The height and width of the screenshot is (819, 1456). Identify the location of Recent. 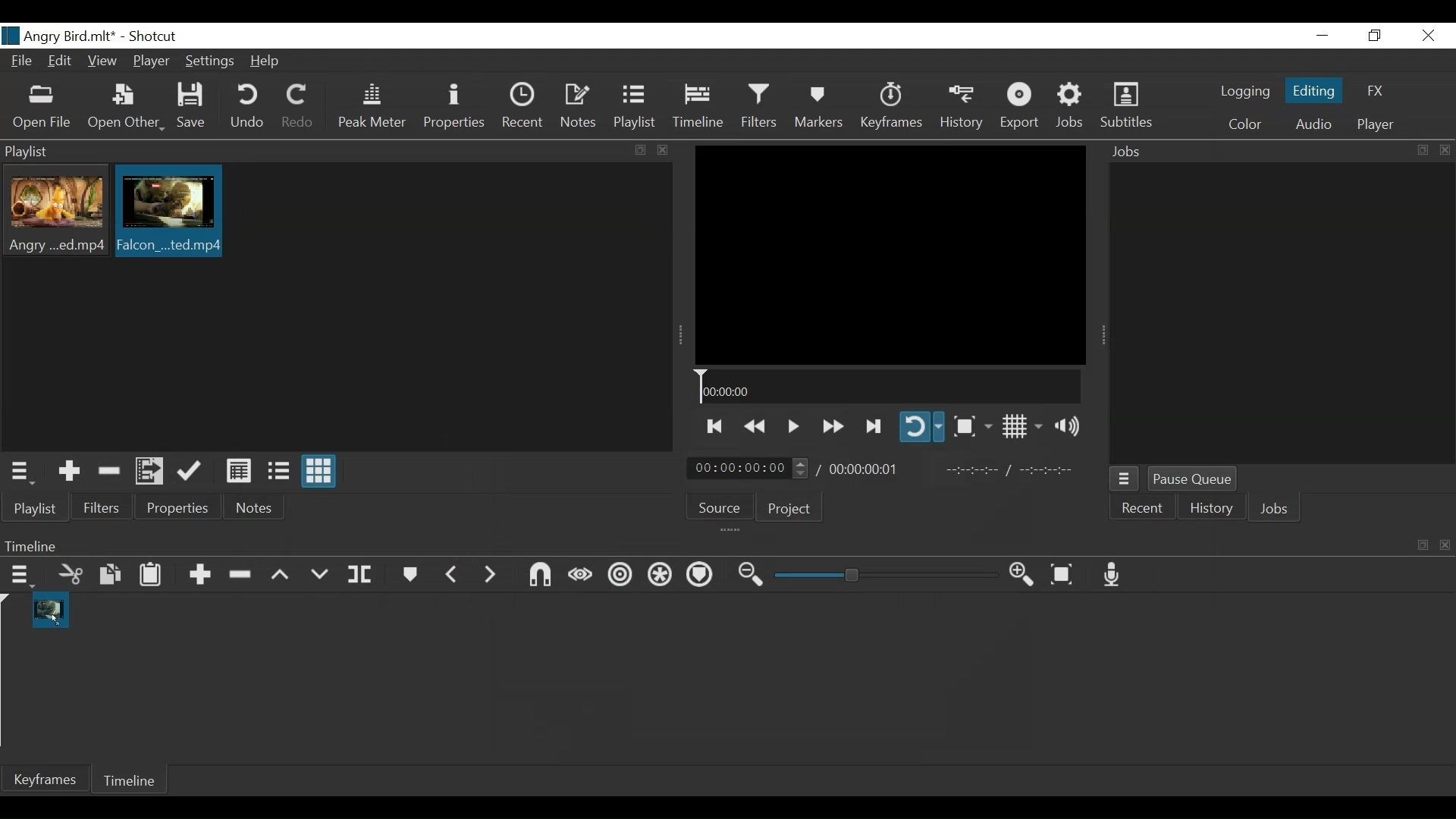
(1141, 510).